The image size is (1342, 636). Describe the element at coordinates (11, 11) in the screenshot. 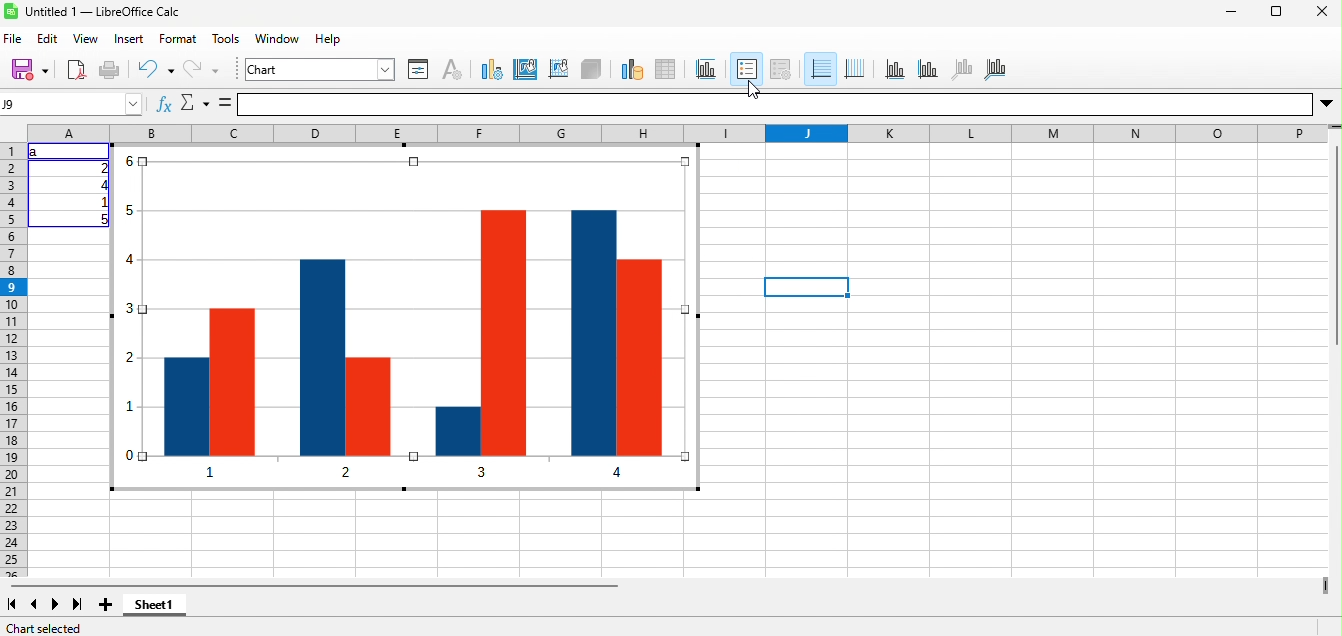

I see `Software logo` at that location.